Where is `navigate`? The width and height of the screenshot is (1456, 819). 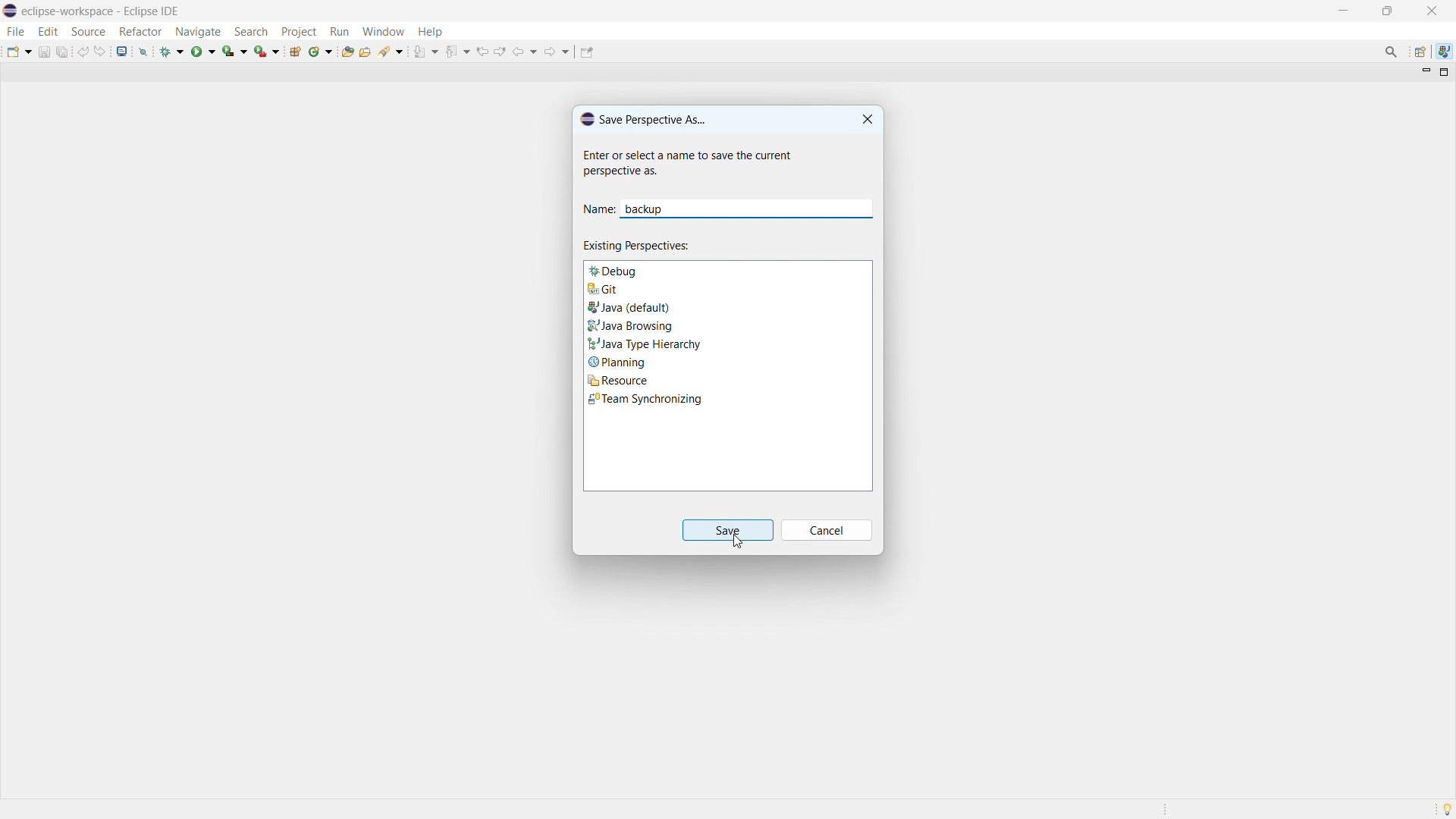 navigate is located at coordinates (198, 31).